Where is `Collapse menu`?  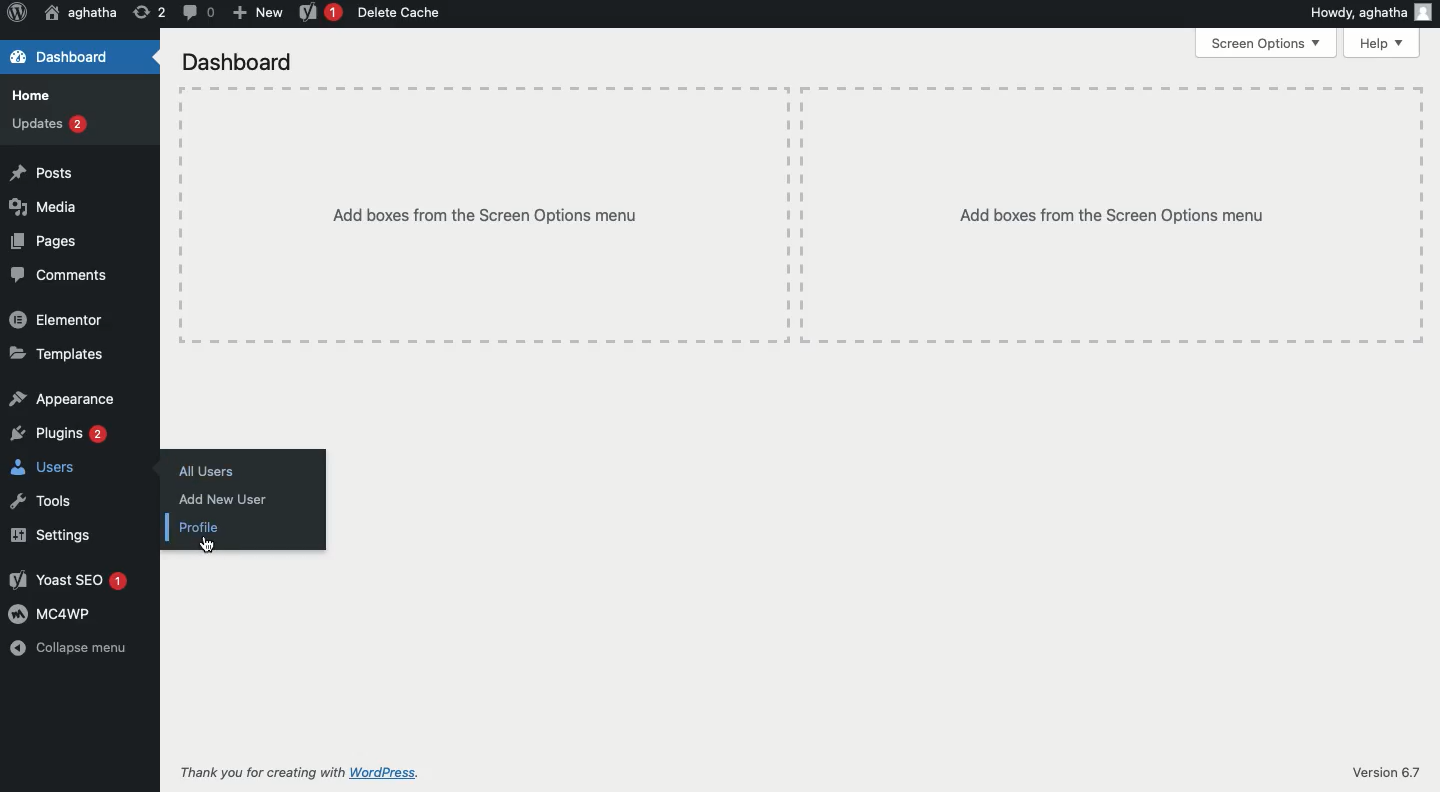
Collapse menu is located at coordinates (78, 649).